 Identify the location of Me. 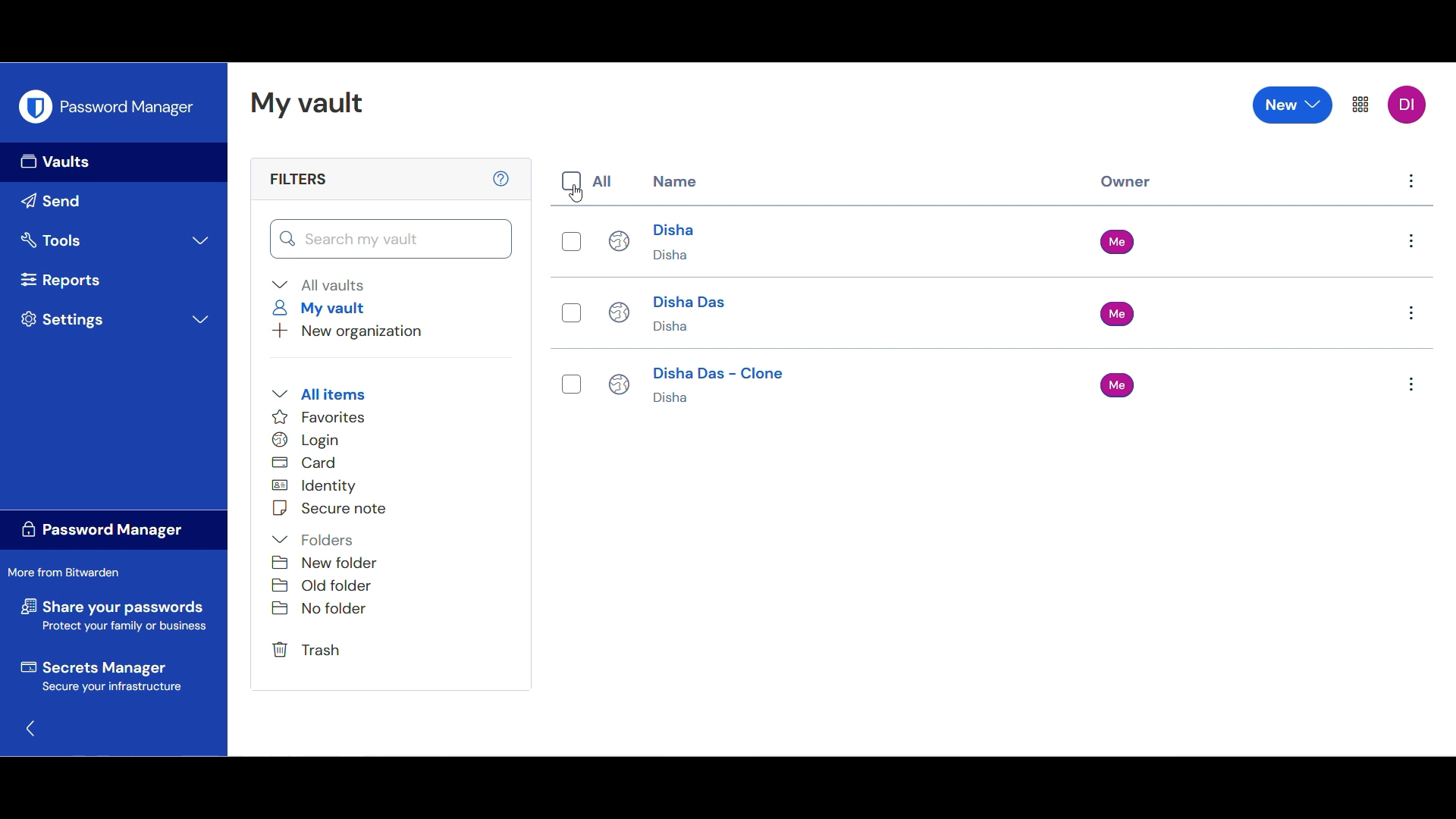
(1118, 384).